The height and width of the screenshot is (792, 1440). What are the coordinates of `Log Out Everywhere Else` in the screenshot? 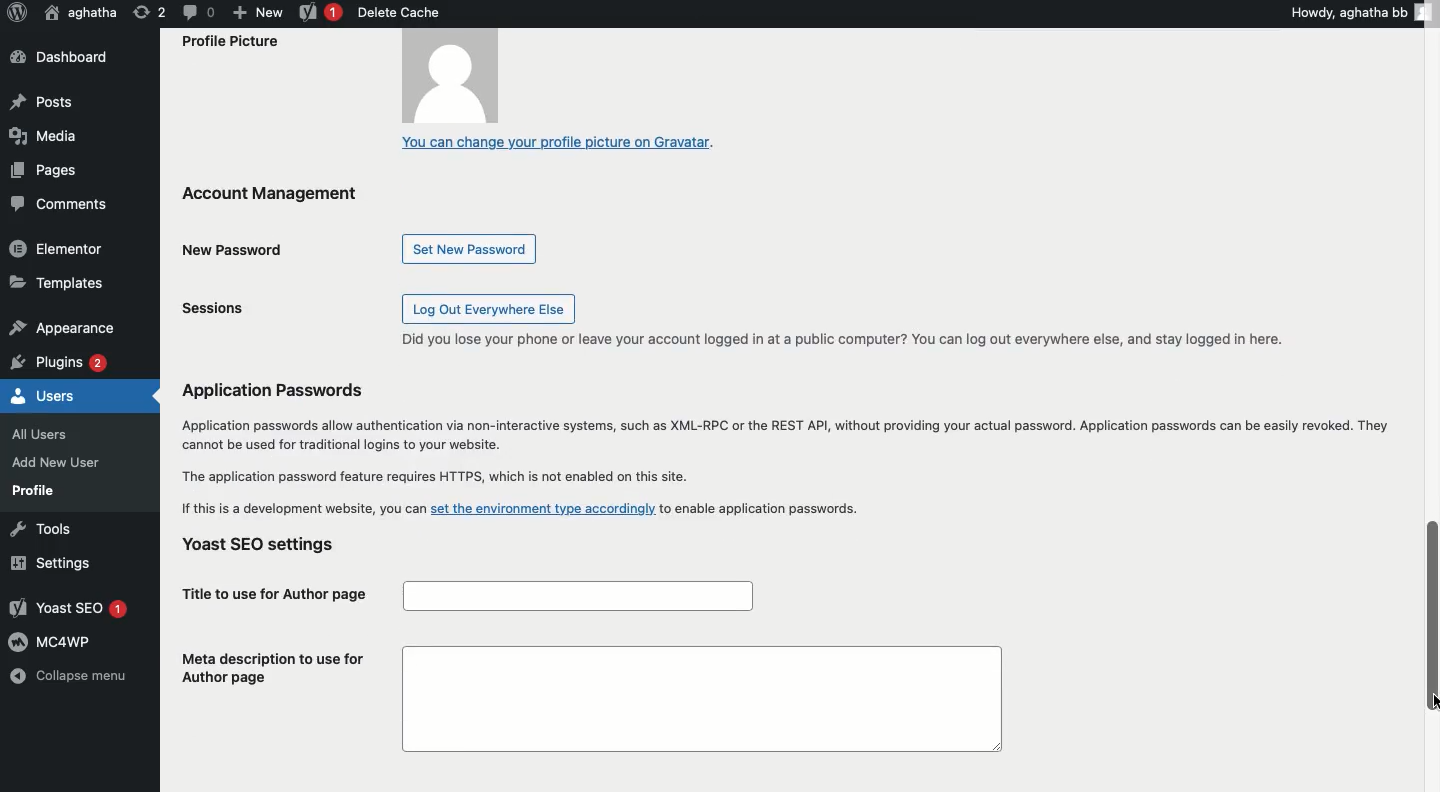 It's located at (487, 308).